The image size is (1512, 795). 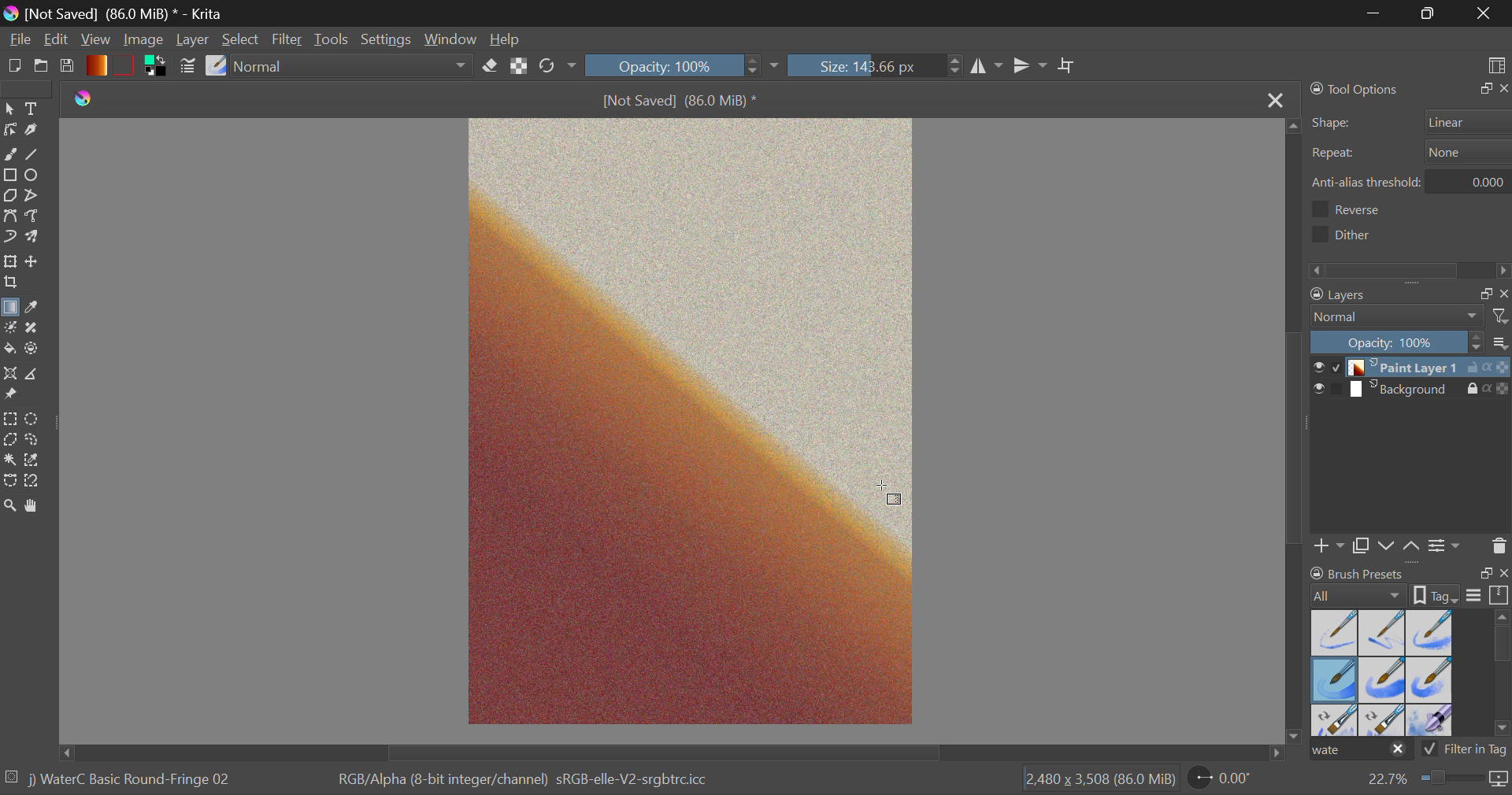 What do you see at coordinates (1338, 393) in the screenshot?
I see `enable background` at bounding box center [1338, 393].